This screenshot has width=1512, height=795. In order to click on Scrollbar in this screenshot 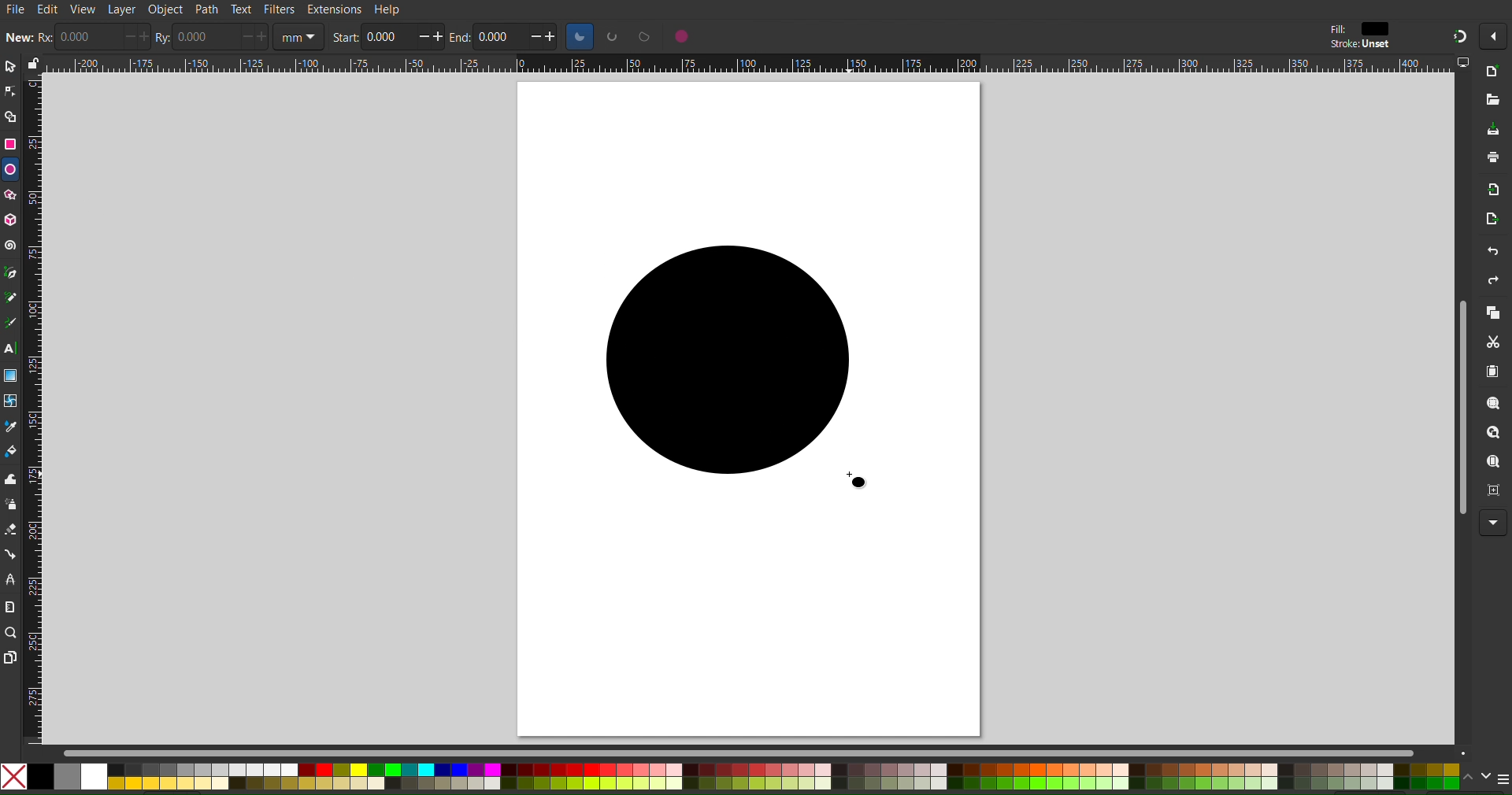, I will do `click(1461, 401)`.